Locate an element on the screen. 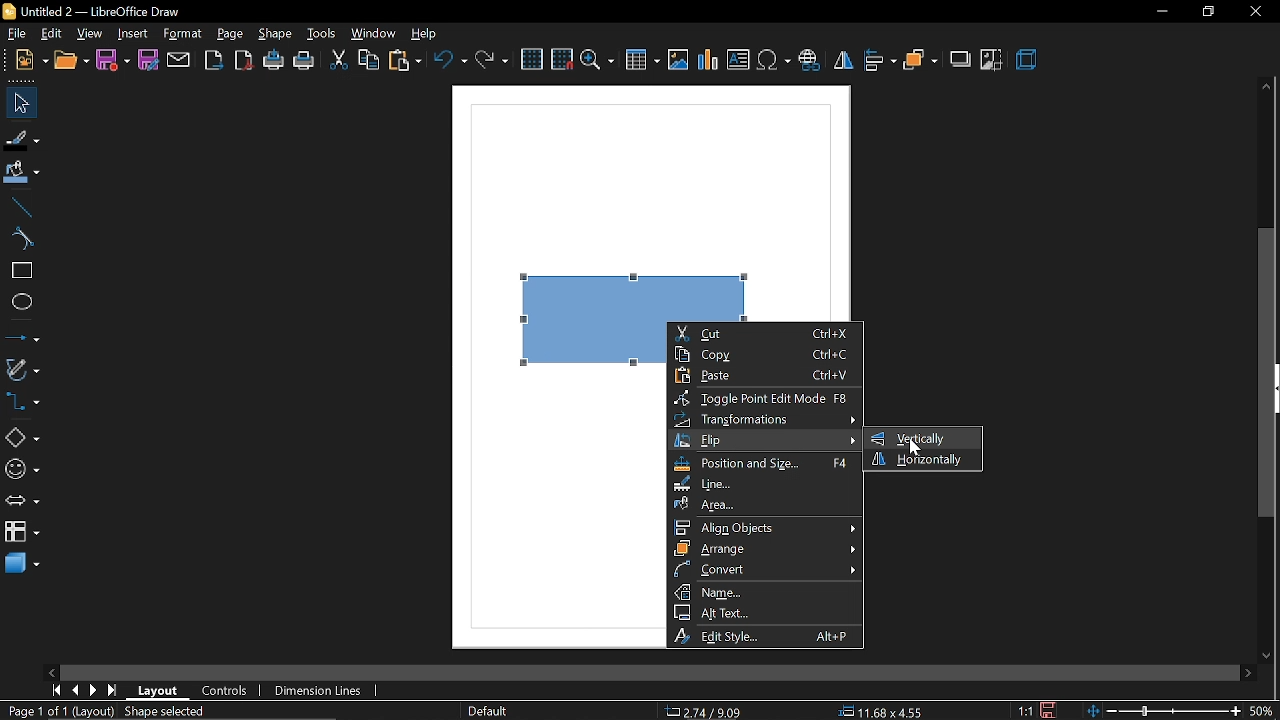 This screenshot has width=1280, height=720. arrange is located at coordinates (765, 548).